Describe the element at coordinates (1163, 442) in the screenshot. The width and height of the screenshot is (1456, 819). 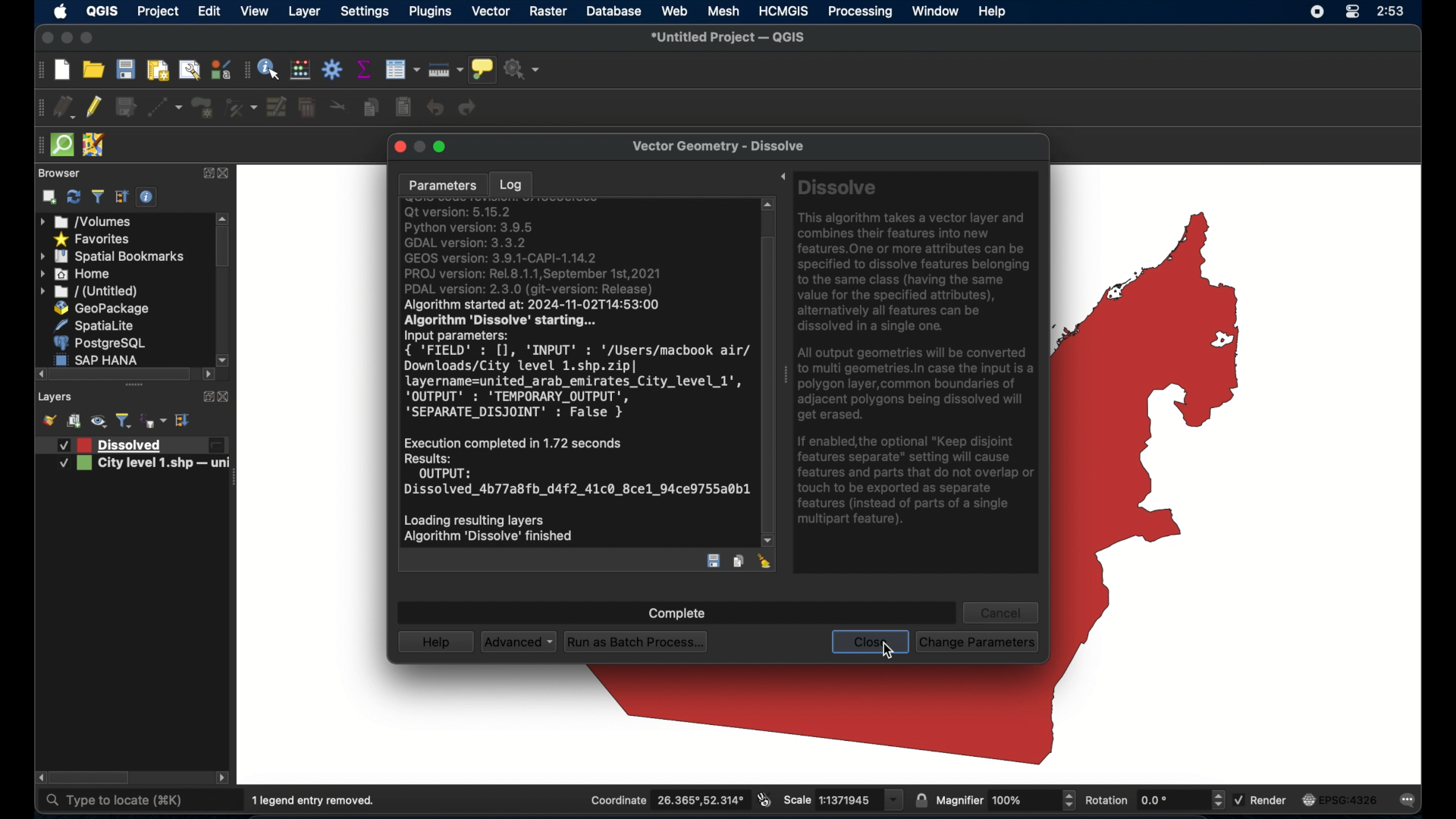
I see `obscured map` at that location.